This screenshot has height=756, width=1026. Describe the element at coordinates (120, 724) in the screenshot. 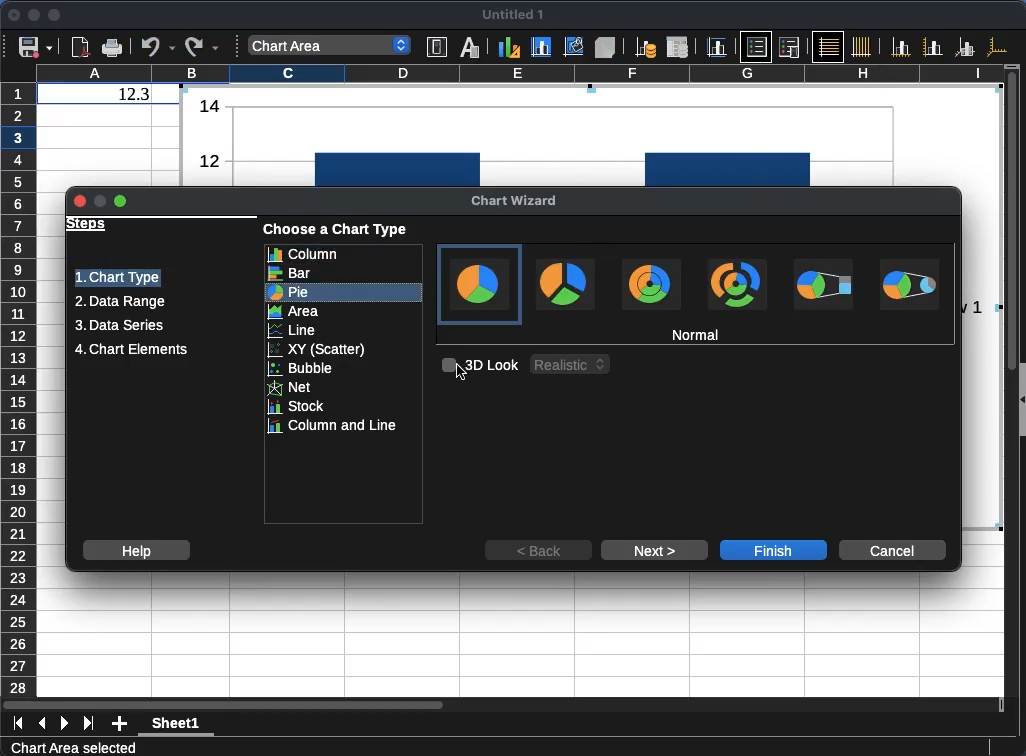

I see `add` at that location.